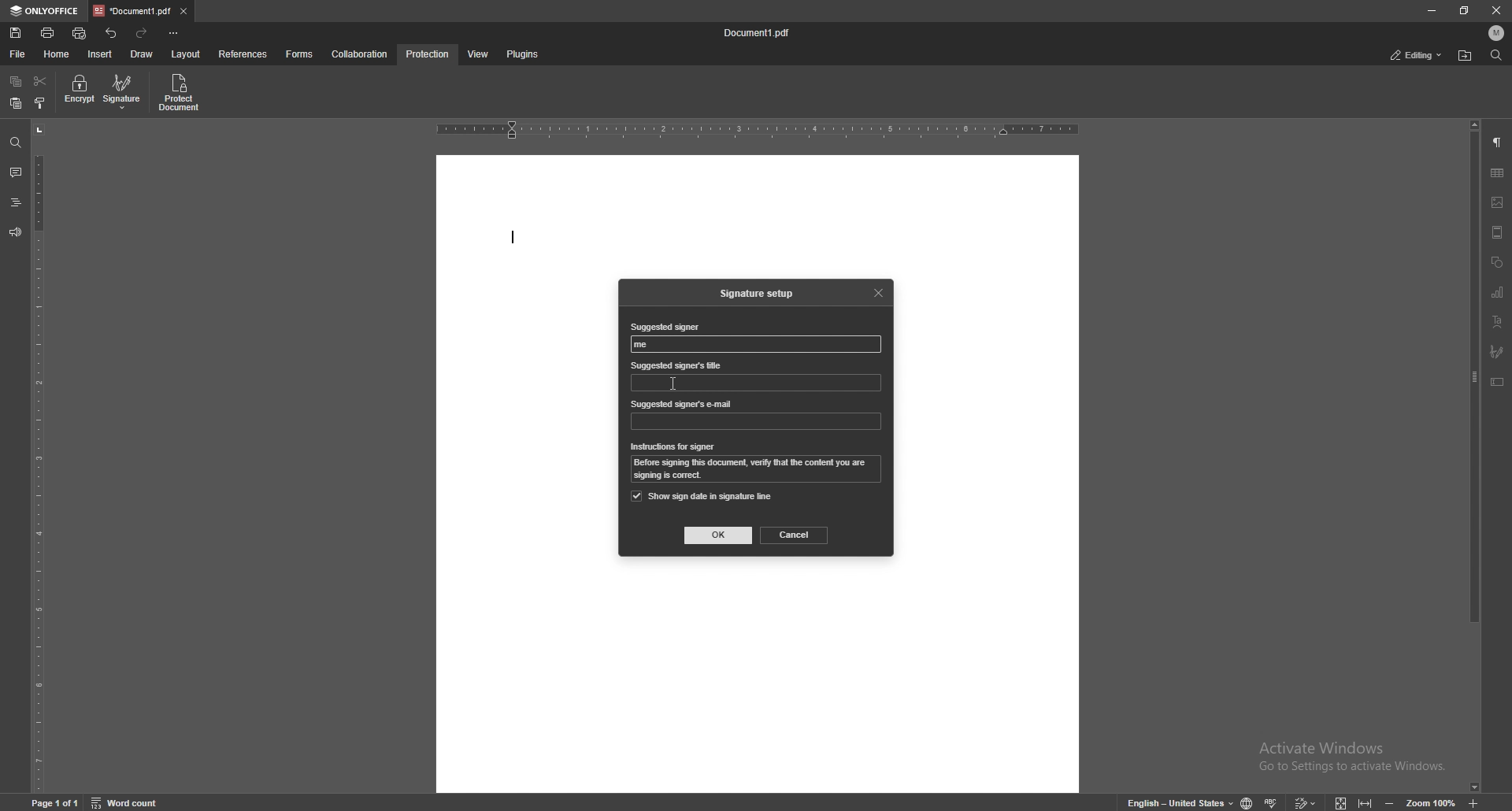 The image size is (1512, 811). Describe the element at coordinates (15, 204) in the screenshot. I see `heading` at that location.